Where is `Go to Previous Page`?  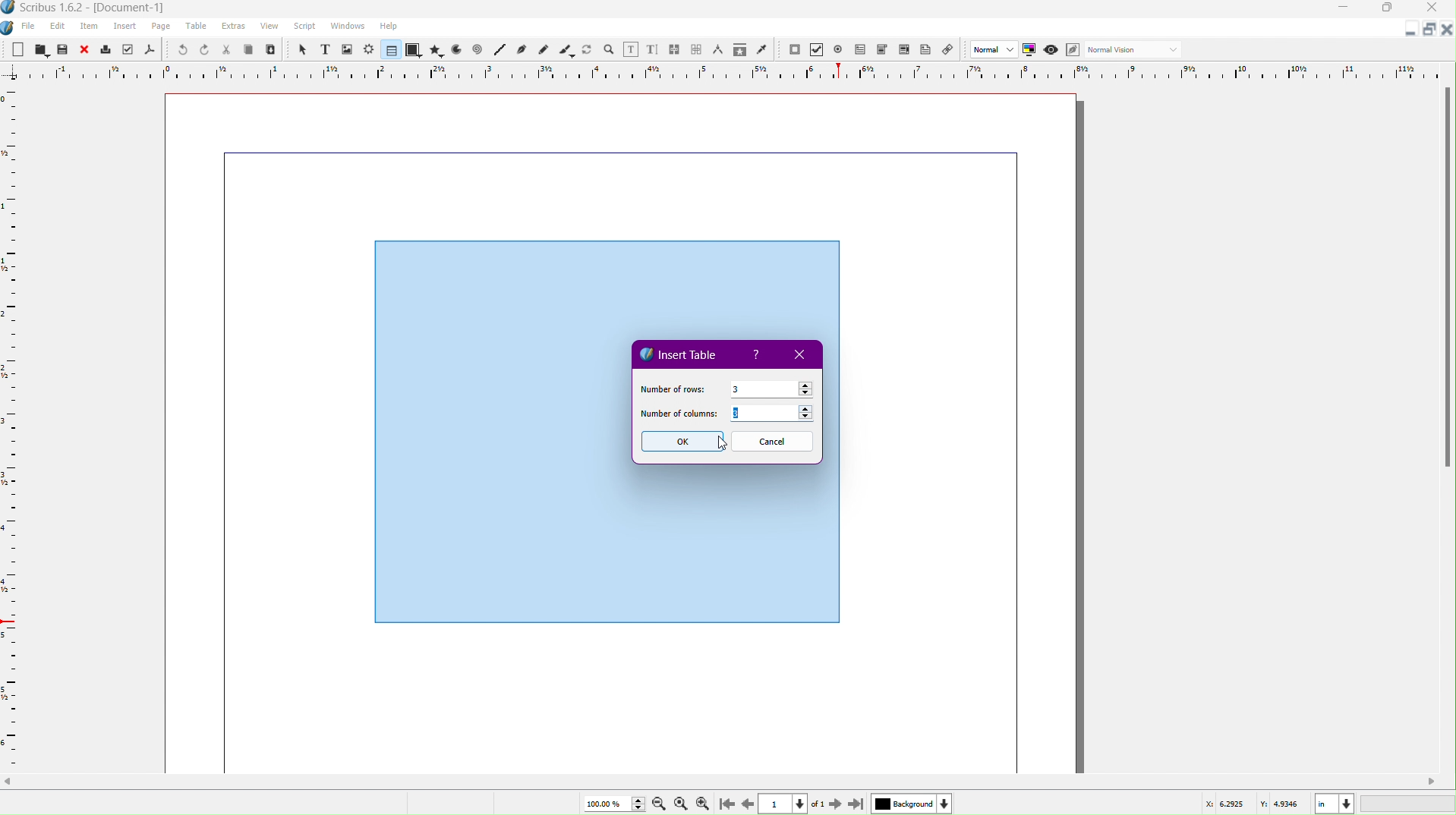 Go to Previous Page is located at coordinates (747, 801).